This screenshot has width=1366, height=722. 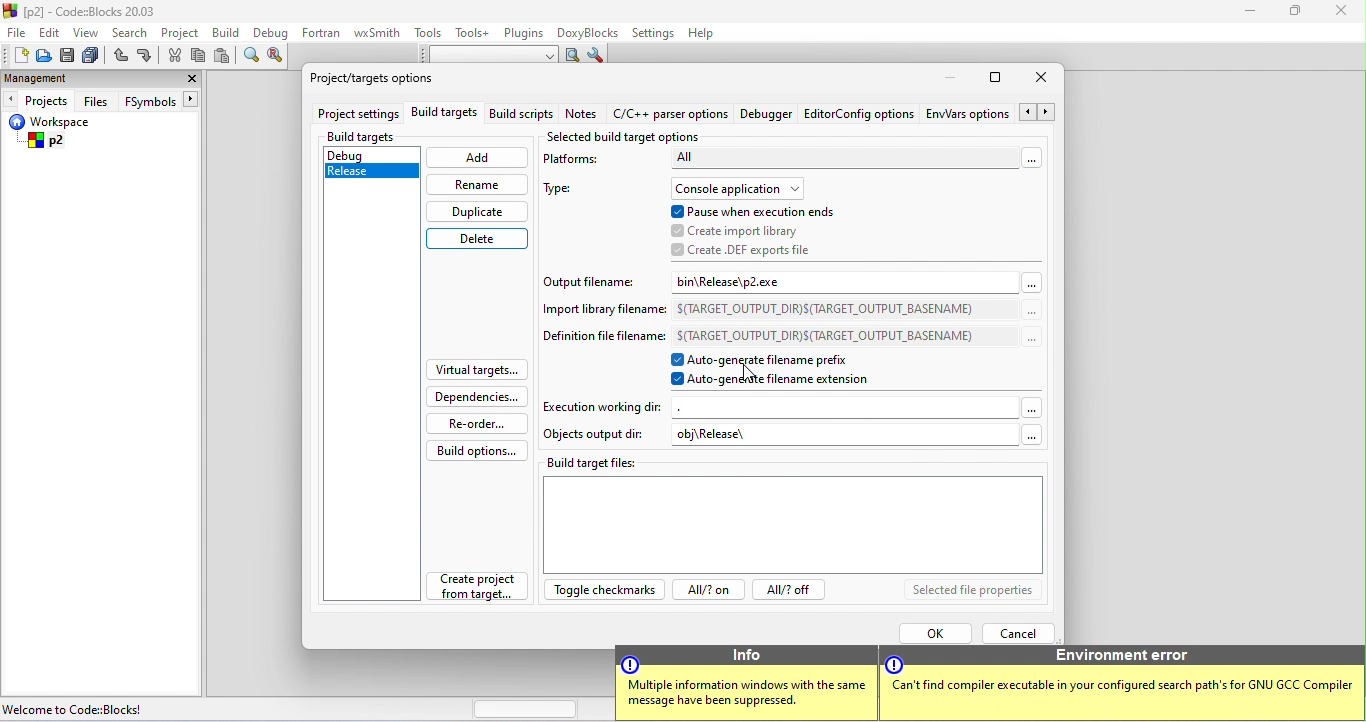 I want to click on workspace p2, so click(x=63, y=134).